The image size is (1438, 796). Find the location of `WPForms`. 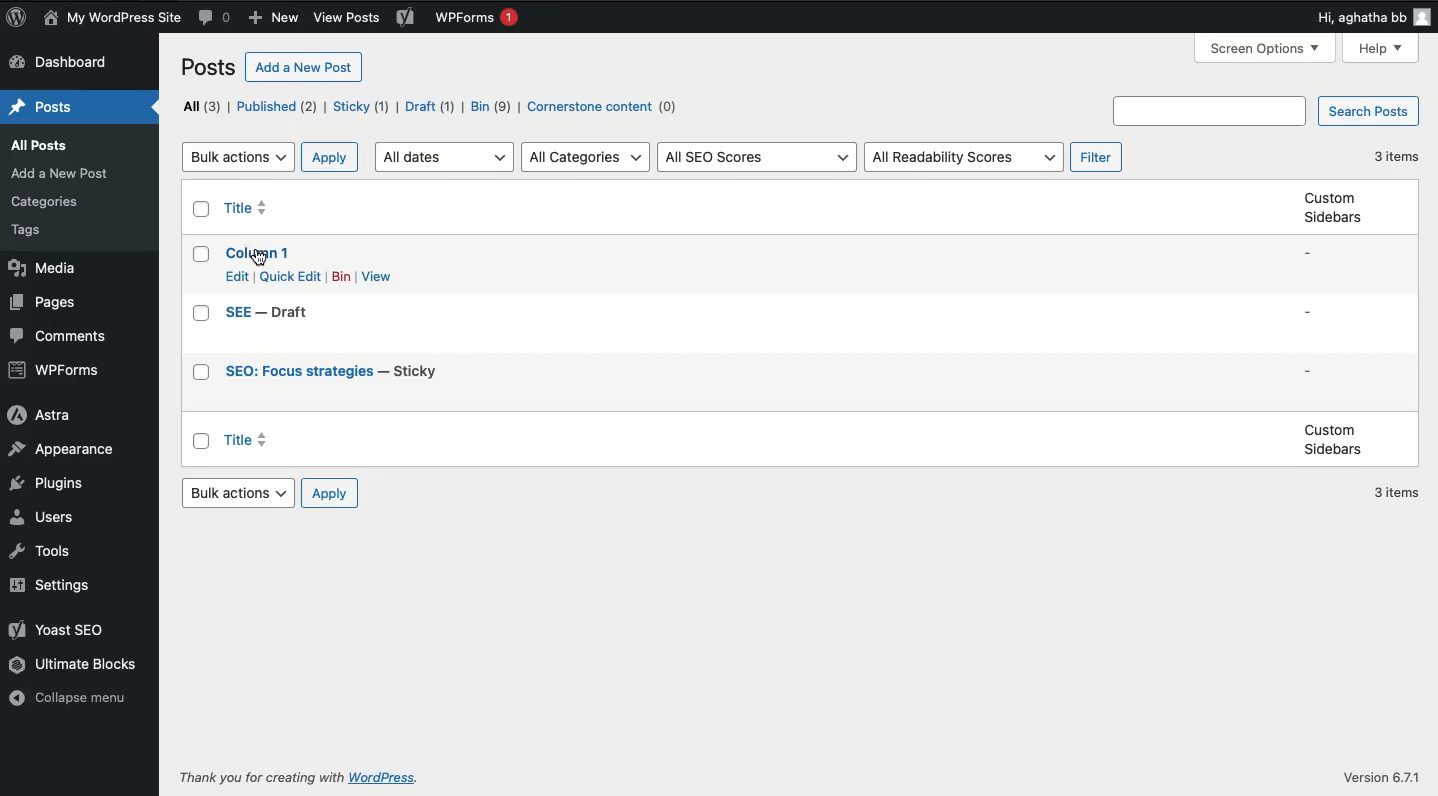

WPForms is located at coordinates (57, 370).